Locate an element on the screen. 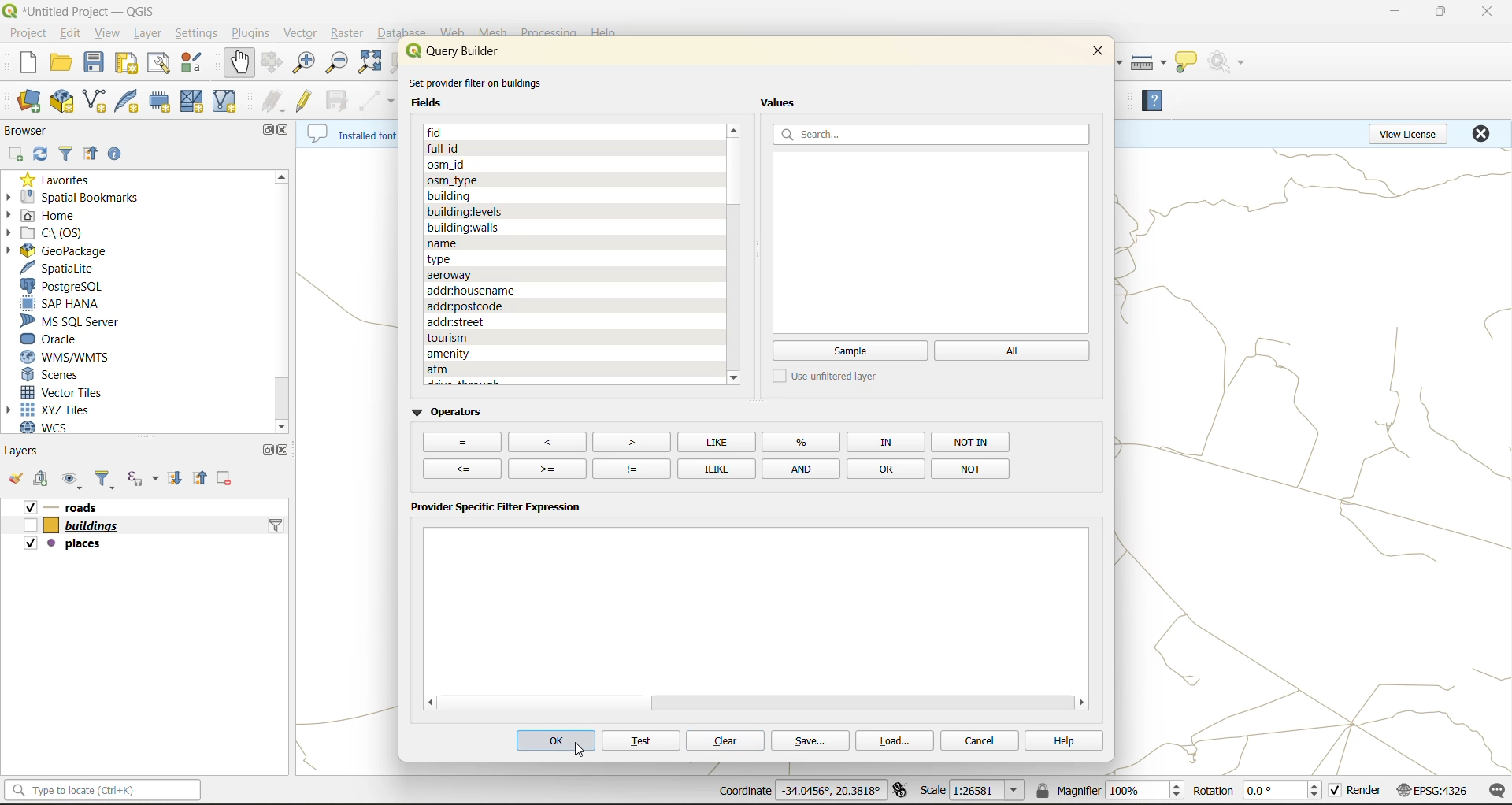 Image resolution: width=1512 pixels, height=805 pixels. layers is located at coordinates (30, 450).